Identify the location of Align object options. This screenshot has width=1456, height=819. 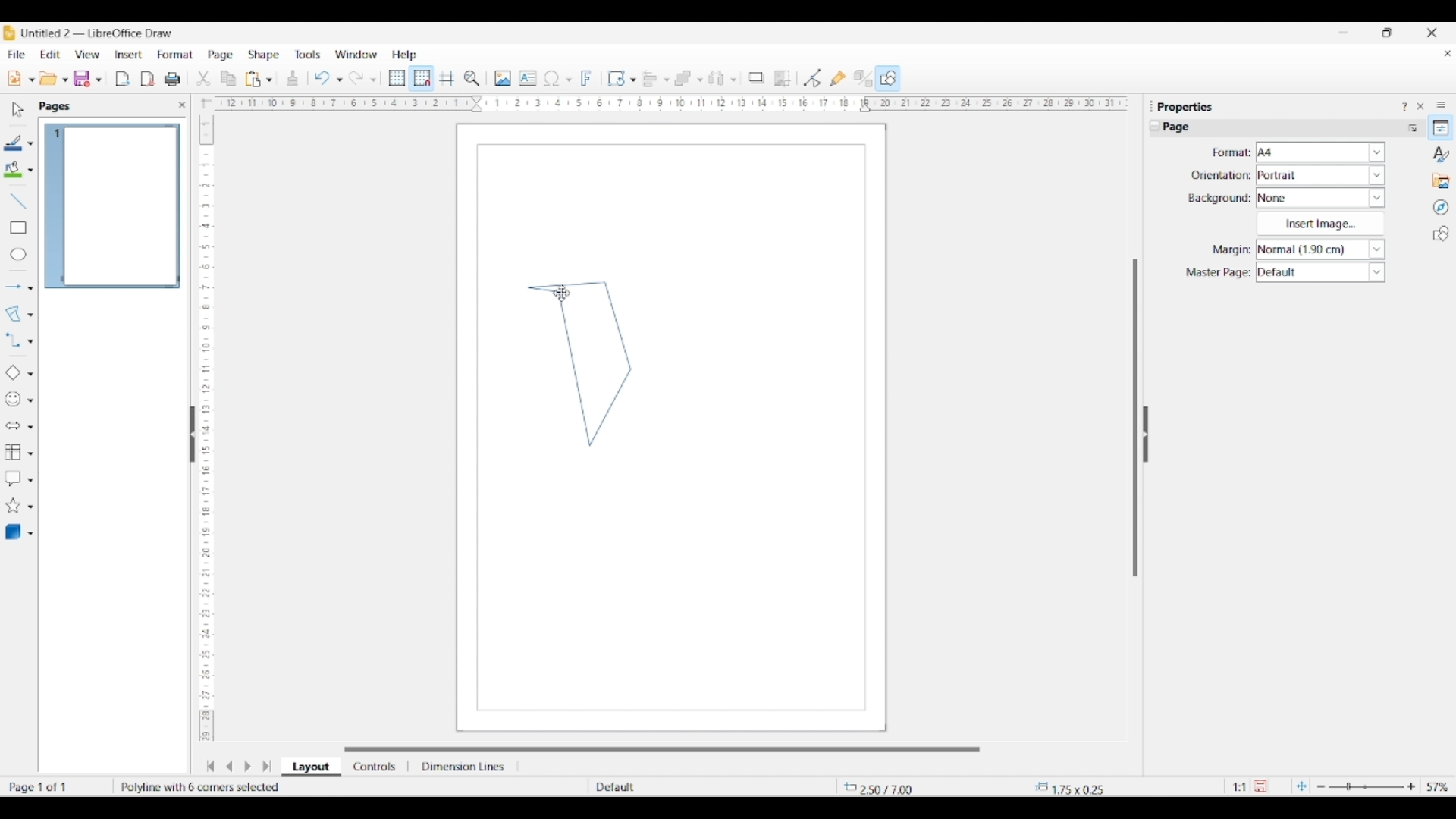
(667, 80).